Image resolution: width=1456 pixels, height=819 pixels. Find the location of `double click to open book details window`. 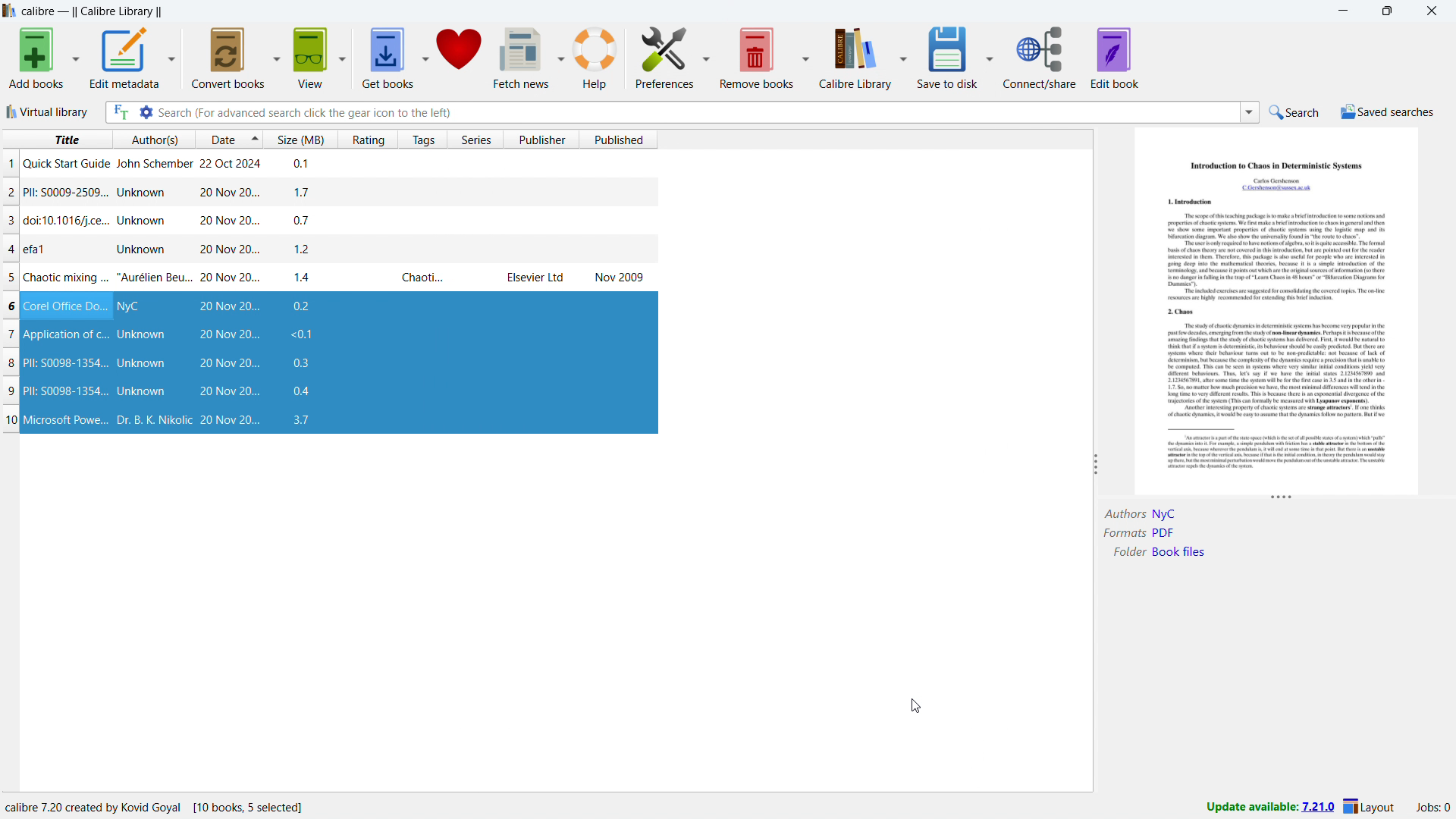

double click to open book details window is located at coordinates (1279, 309).